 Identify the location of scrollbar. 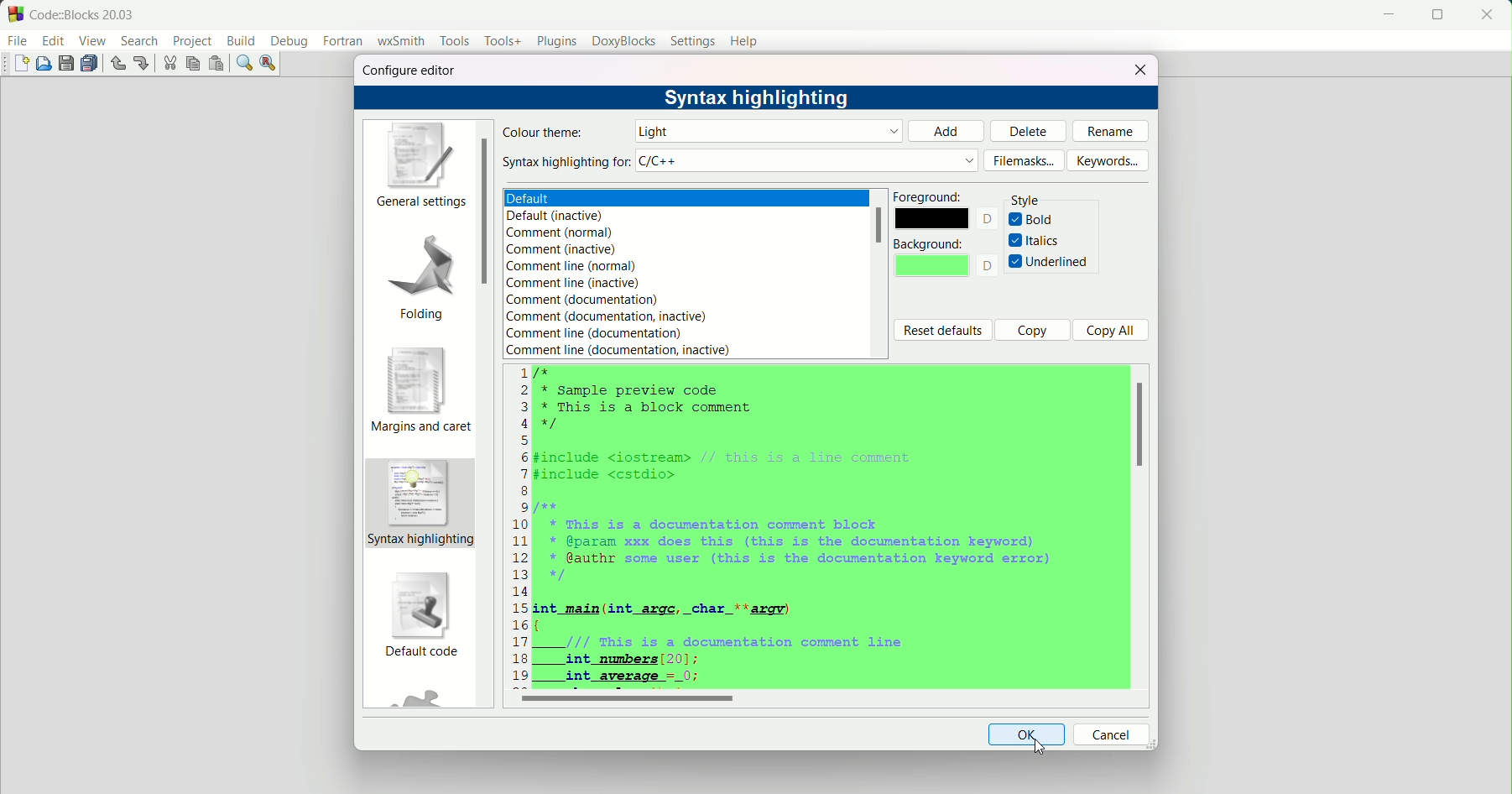
(881, 227).